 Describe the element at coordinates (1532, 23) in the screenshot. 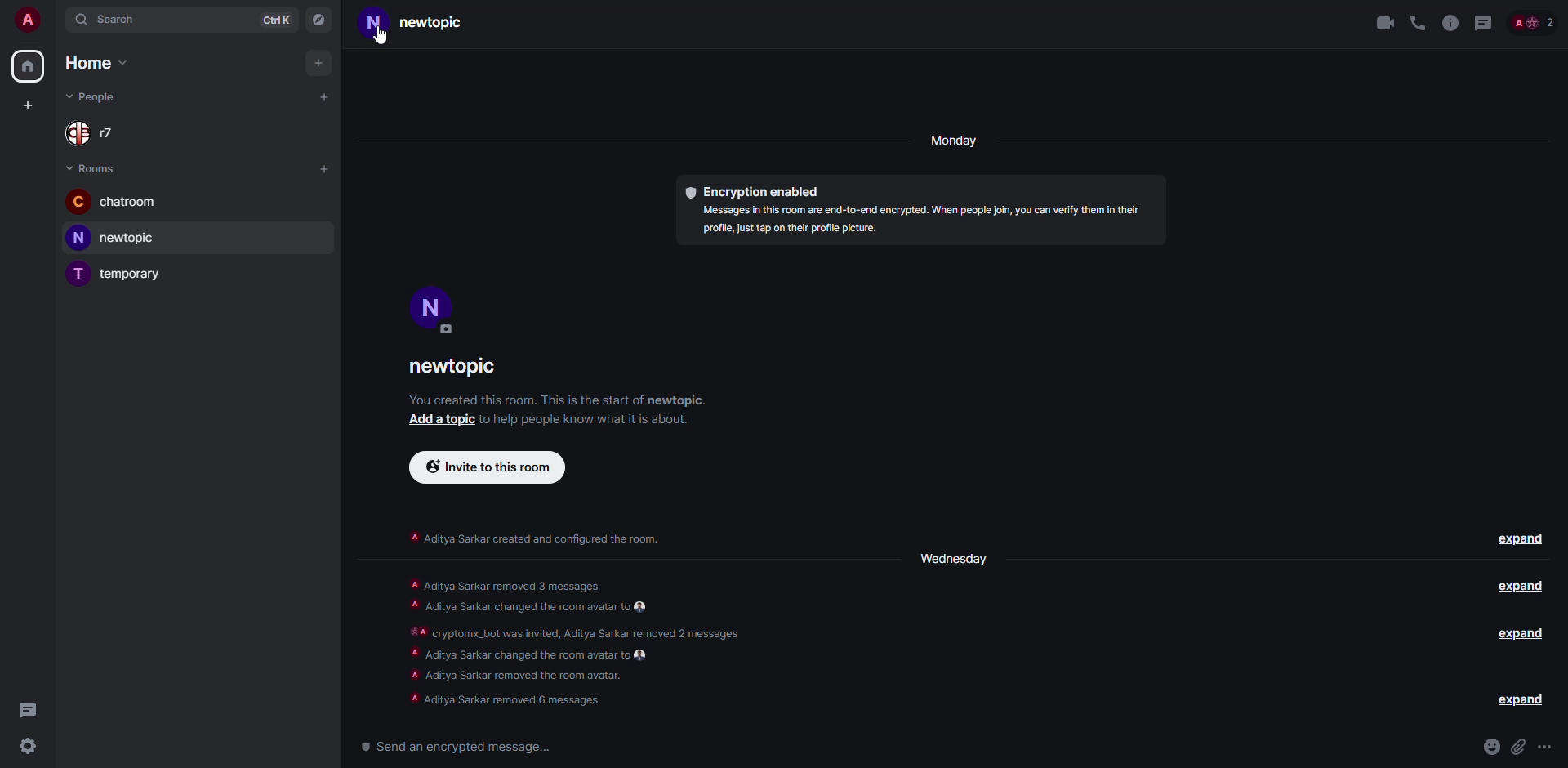

I see `people` at that location.